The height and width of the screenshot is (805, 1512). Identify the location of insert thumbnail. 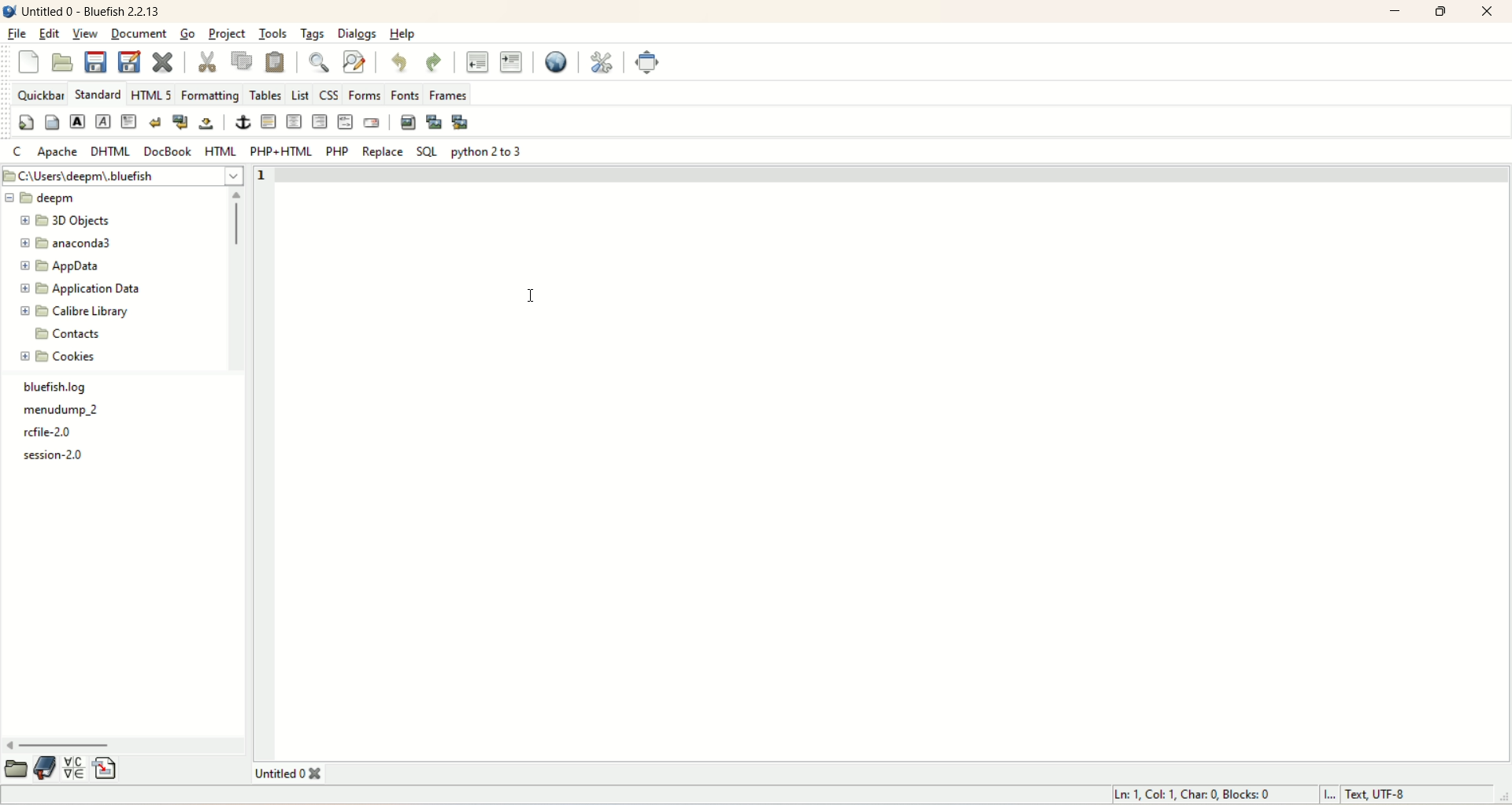
(435, 121).